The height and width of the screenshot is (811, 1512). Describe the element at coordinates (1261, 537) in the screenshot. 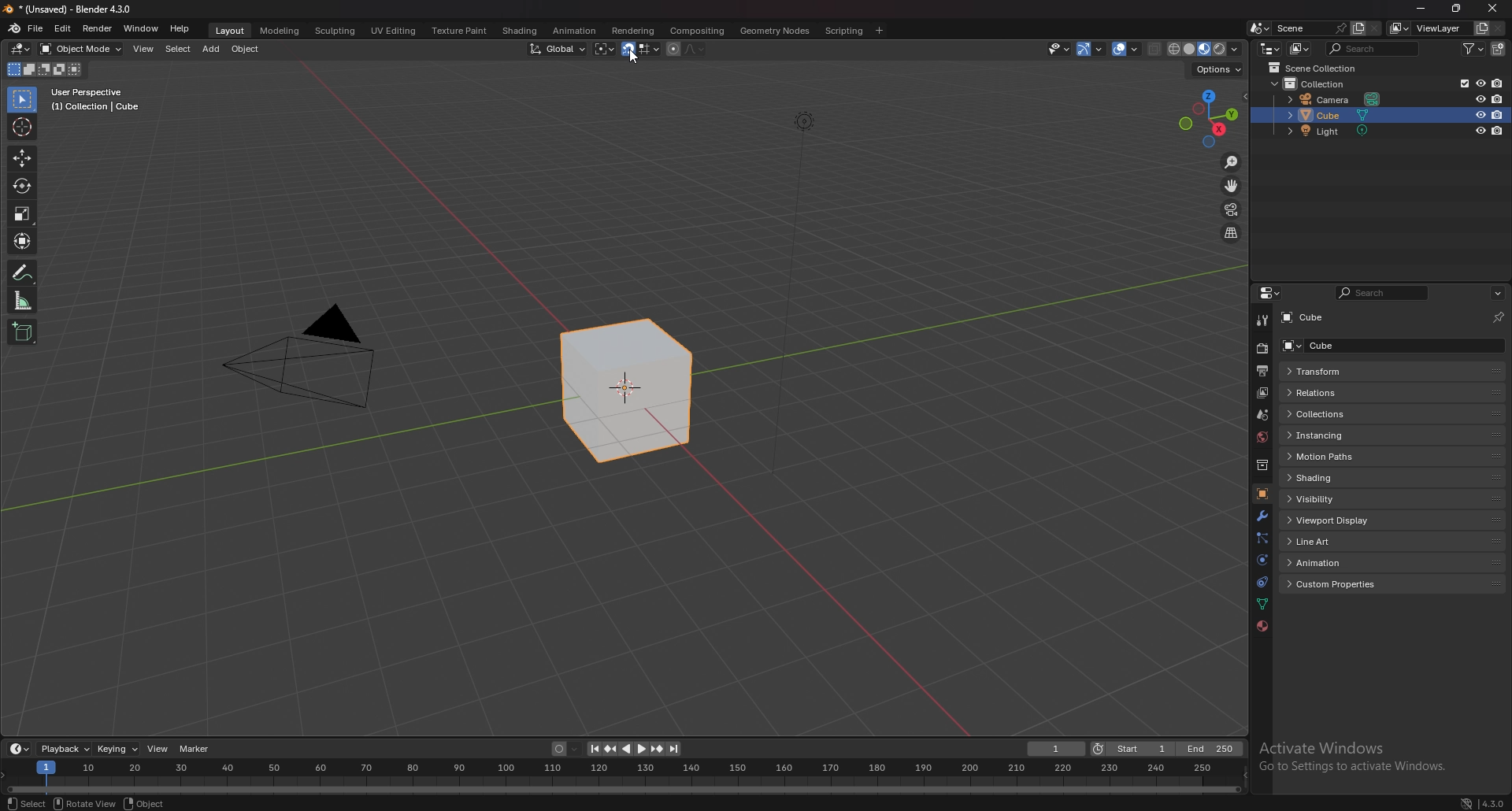

I see `particles` at that location.